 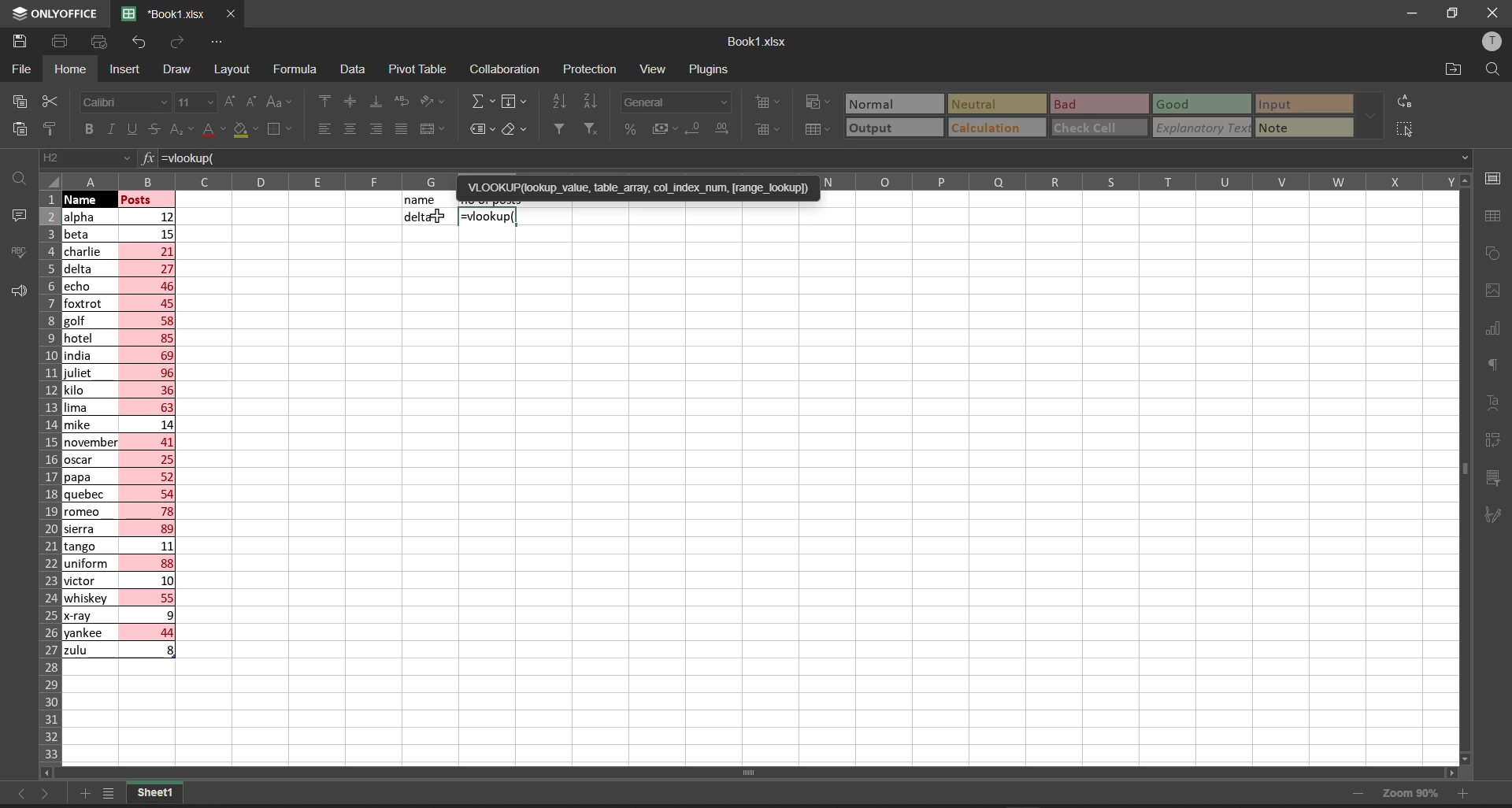 What do you see at coordinates (247, 131) in the screenshot?
I see `fill color` at bounding box center [247, 131].